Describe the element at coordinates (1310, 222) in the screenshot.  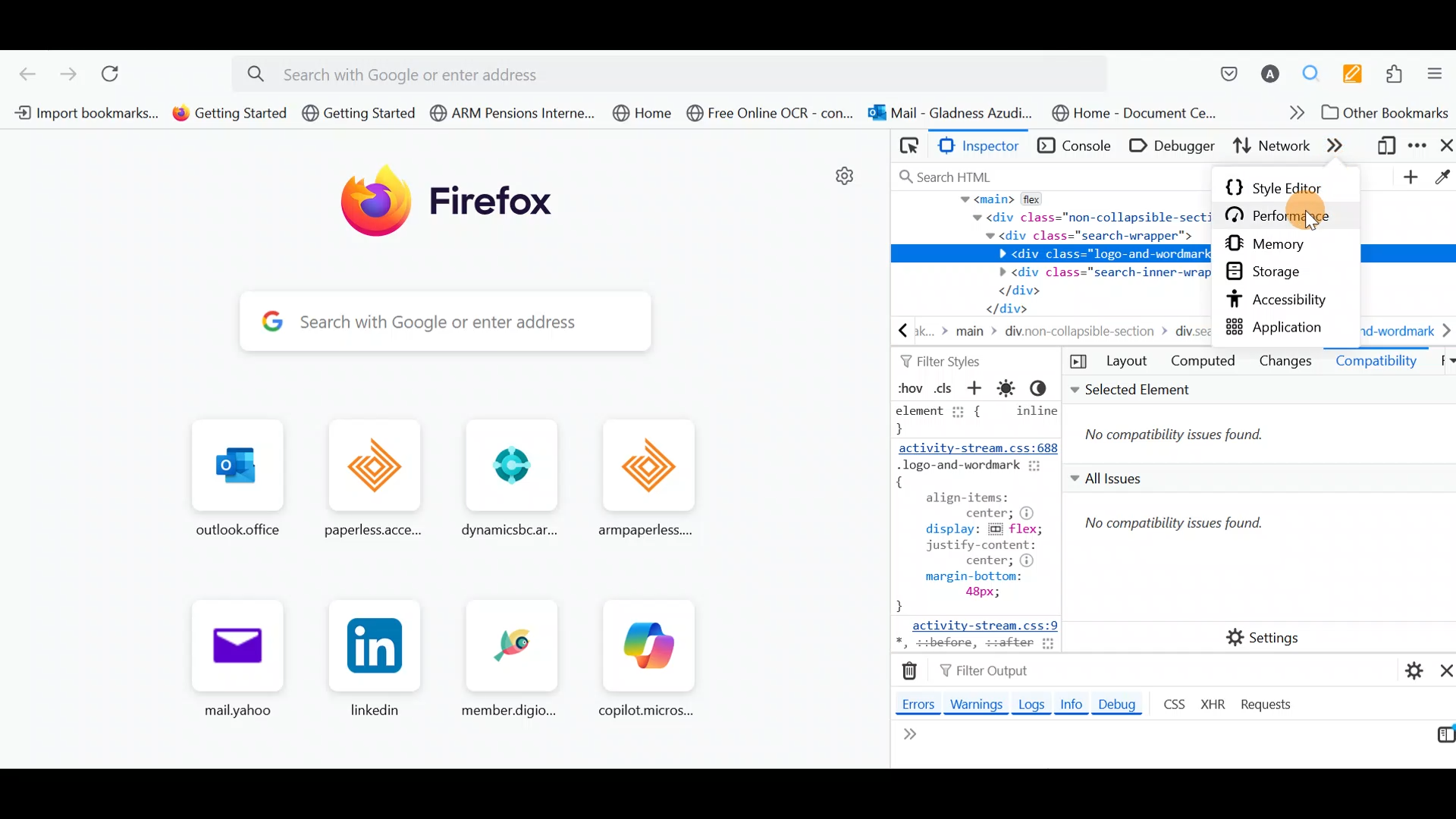
I see `cursor` at that location.